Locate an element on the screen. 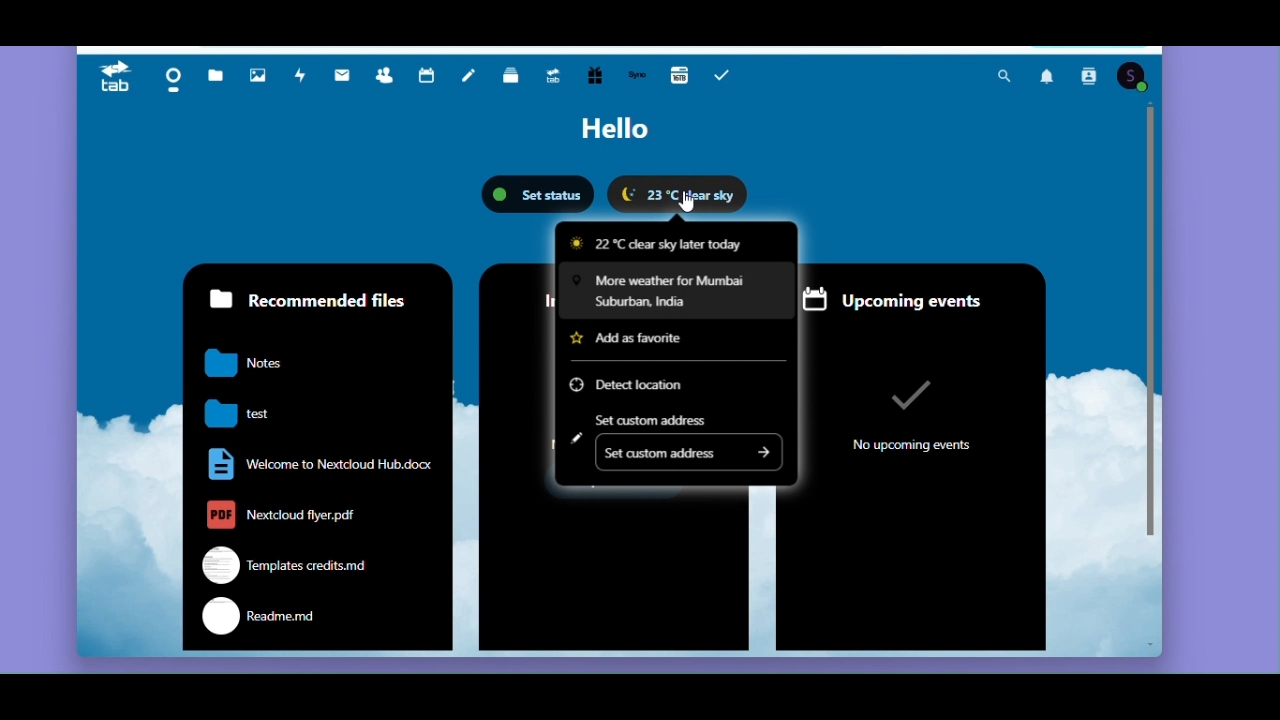 This screenshot has width=1280, height=720. Calendar is located at coordinates (432, 77).